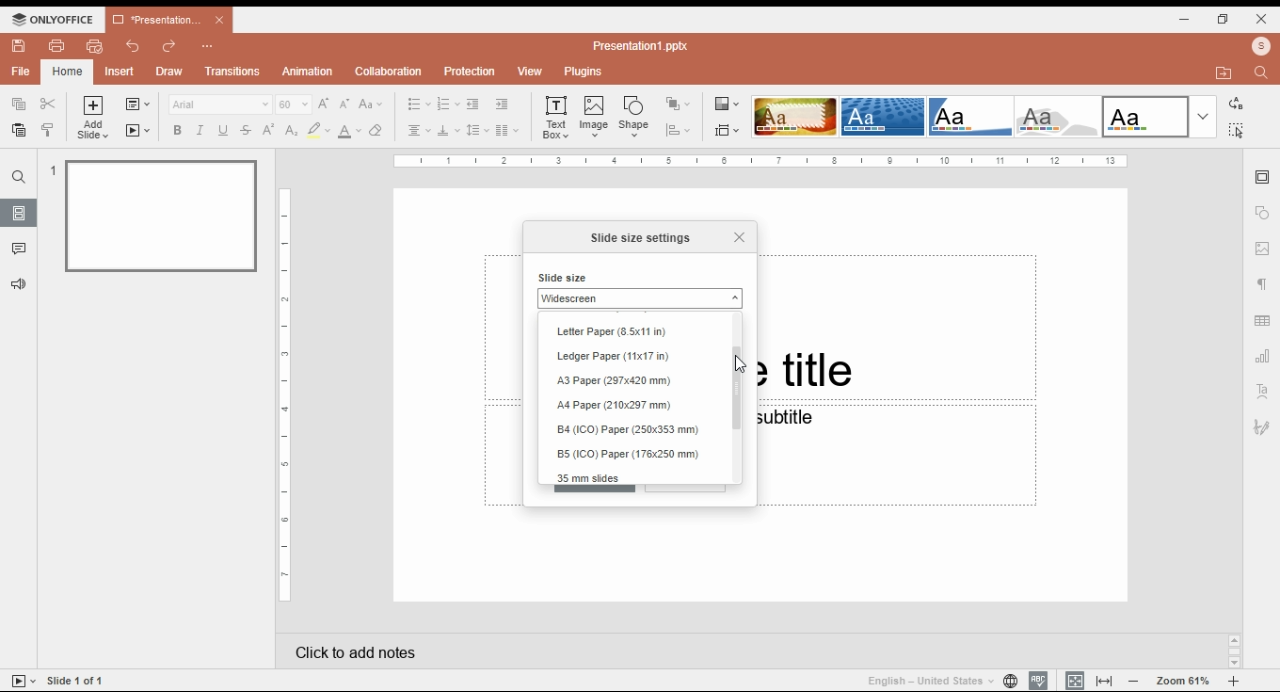  What do you see at coordinates (219, 104) in the screenshot?
I see `Arial` at bounding box center [219, 104].